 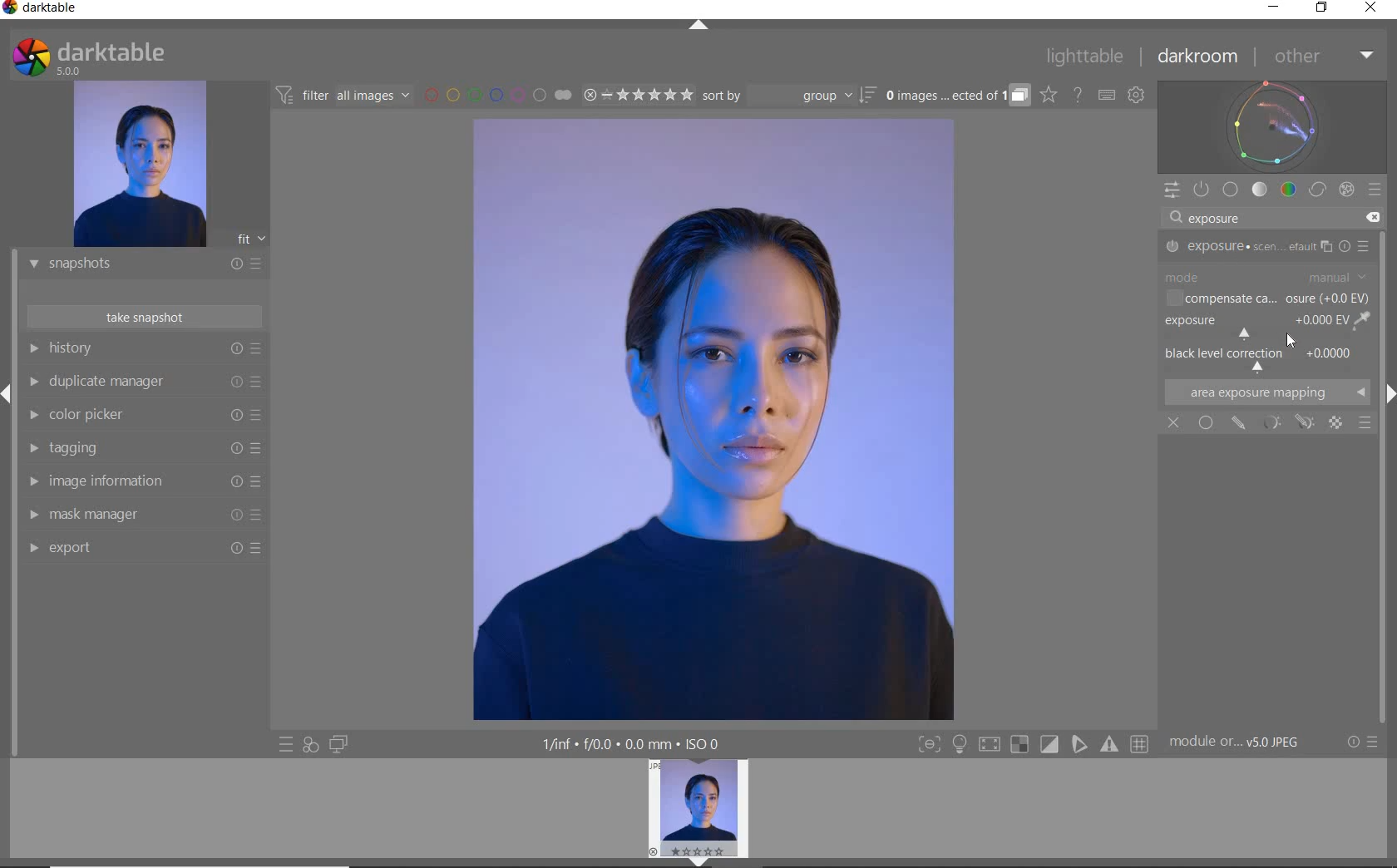 What do you see at coordinates (1289, 189) in the screenshot?
I see `COLOR` at bounding box center [1289, 189].